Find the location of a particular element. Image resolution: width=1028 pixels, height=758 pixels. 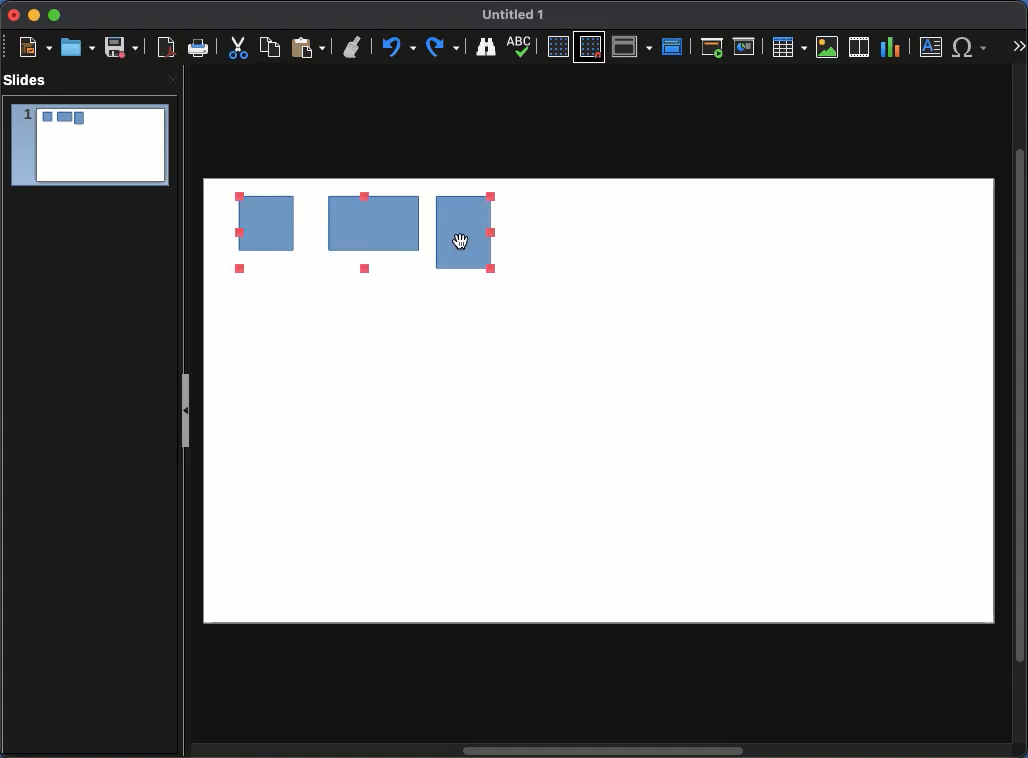

Insert image is located at coordinates (827, 47).